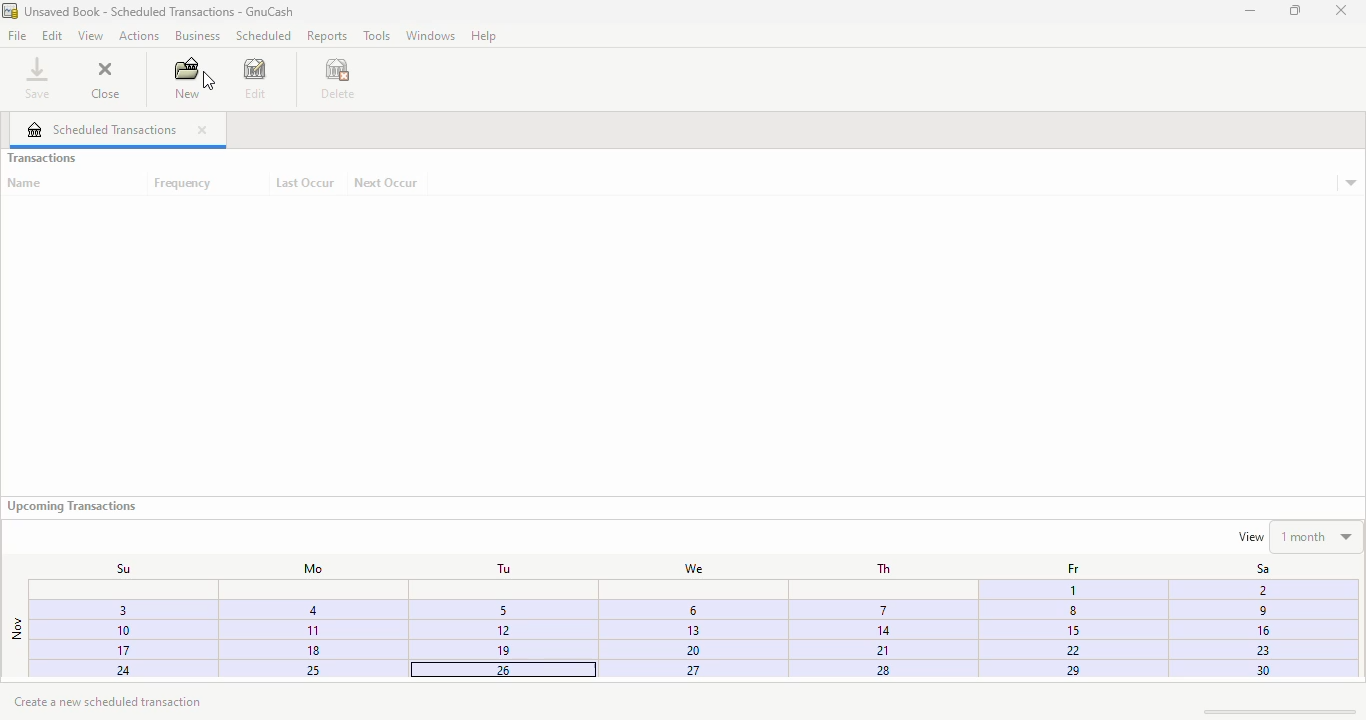 The image size is (1366, 720). Describe the element at coordinates (202, 130) in the screenshot. I see `close` at that location.